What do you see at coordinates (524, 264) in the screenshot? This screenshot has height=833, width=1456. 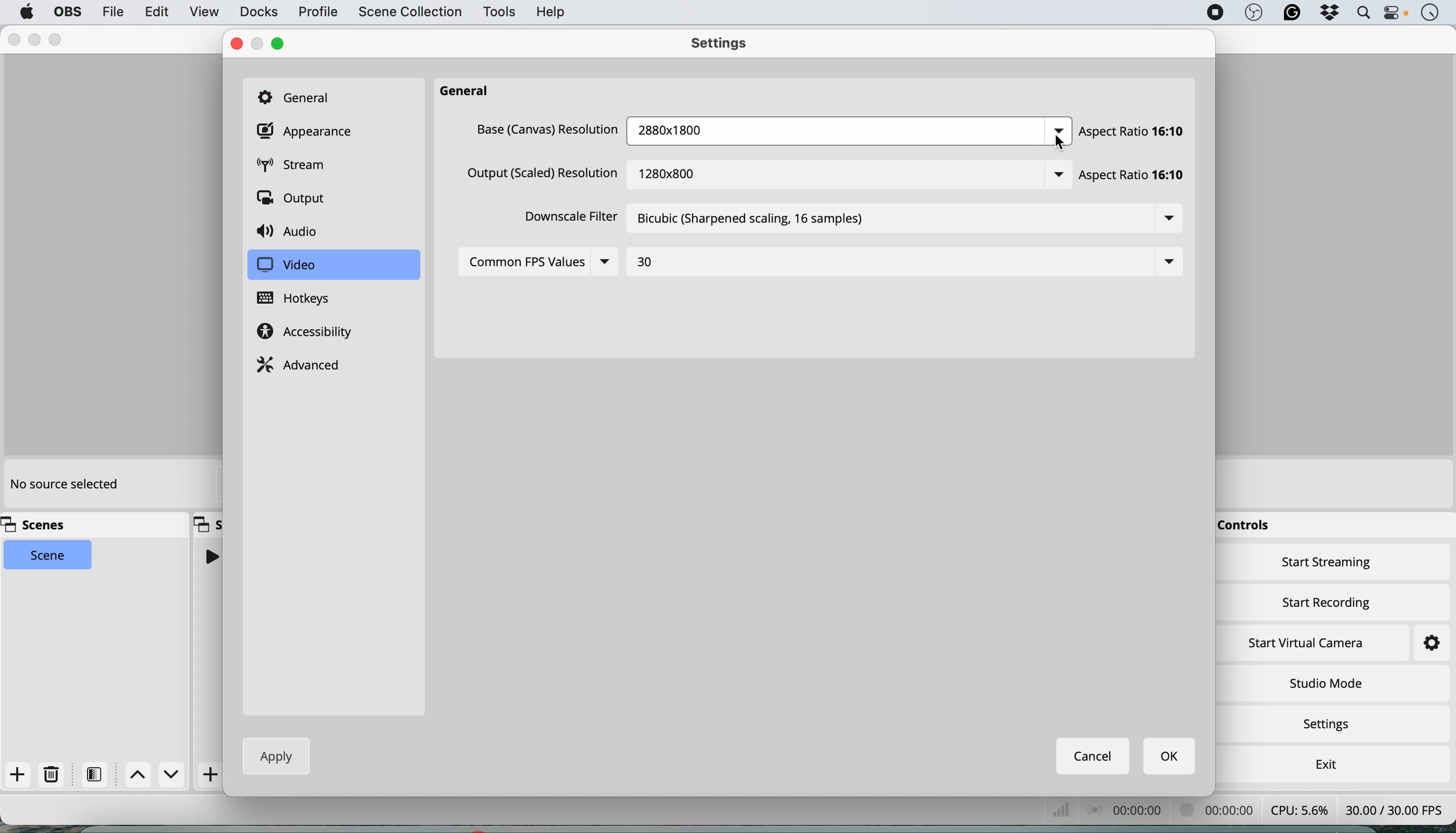 I see `common fps value` at bounding box center [524, 264].